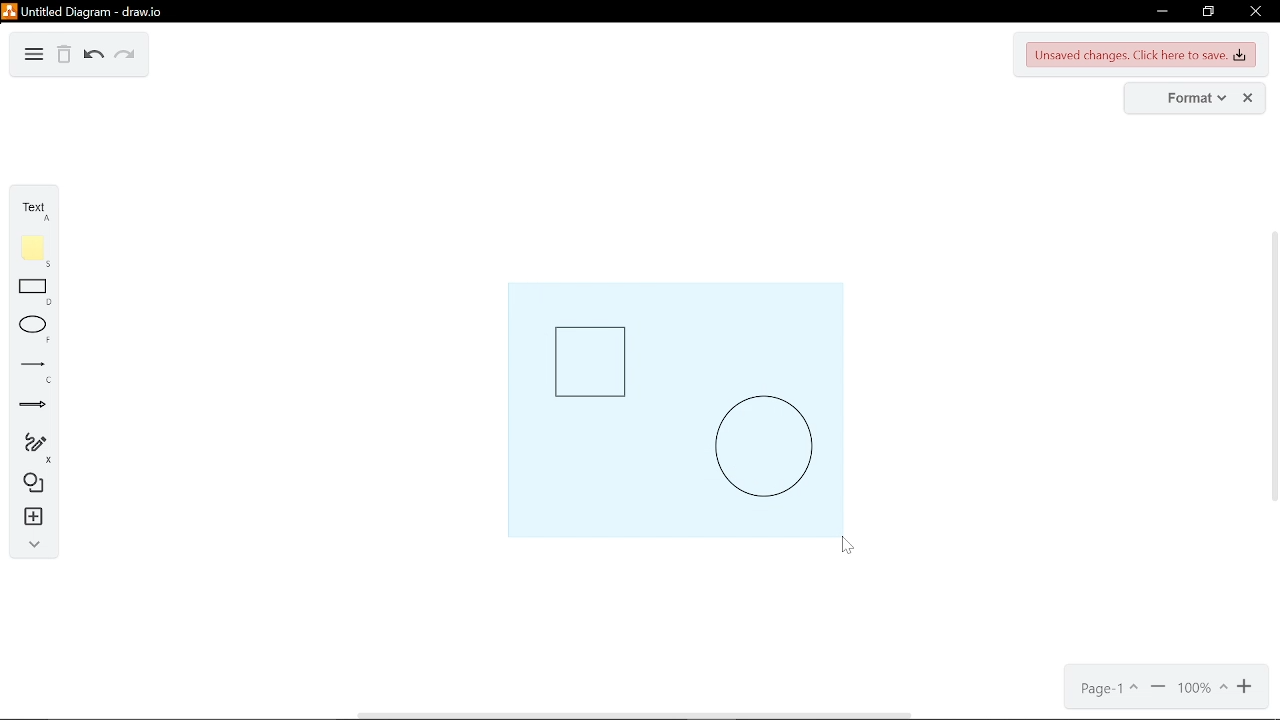 The width and height of the screenshot is (1280, 720). I want to click on delete, so click(65, 57).